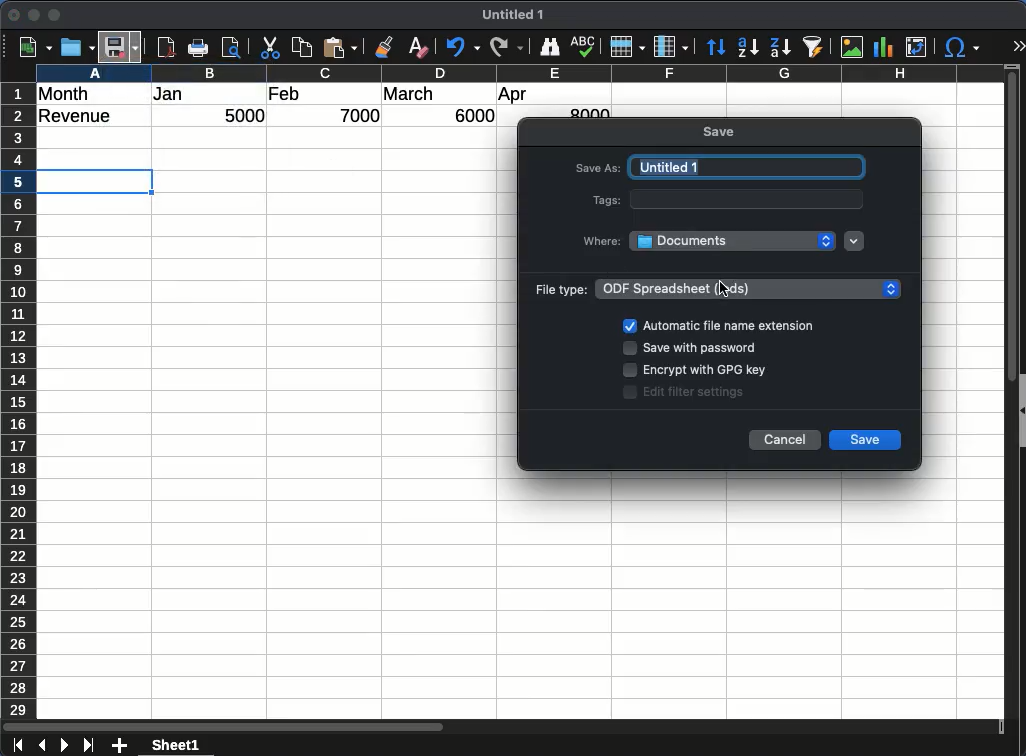 The width and height of the screenshot is (1026, 756). Describe the element at coordinates (587, 112) in the screenshot. I see `8000` at that location.